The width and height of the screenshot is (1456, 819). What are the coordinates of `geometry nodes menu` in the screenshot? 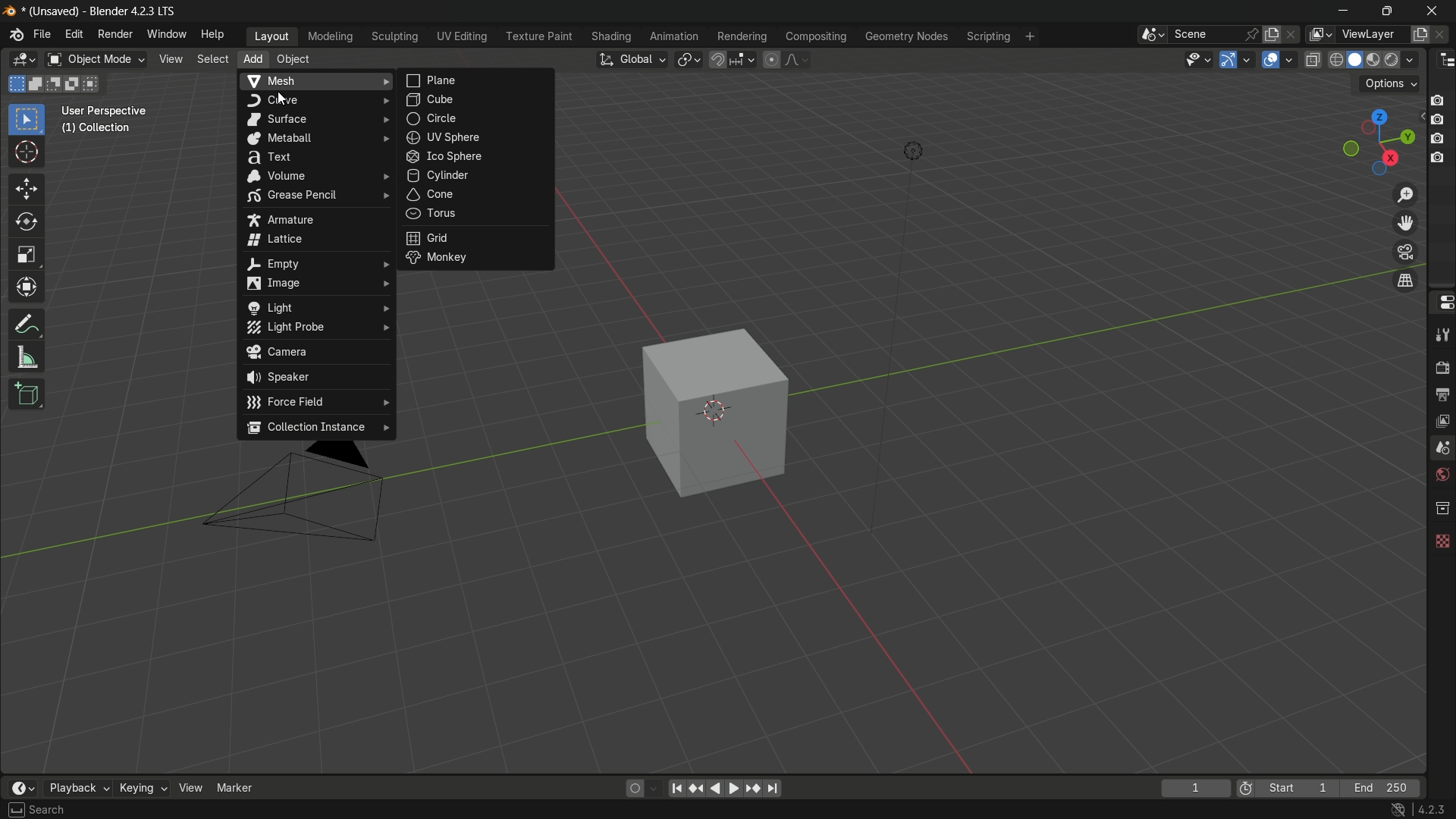 It's located at (907, 37).